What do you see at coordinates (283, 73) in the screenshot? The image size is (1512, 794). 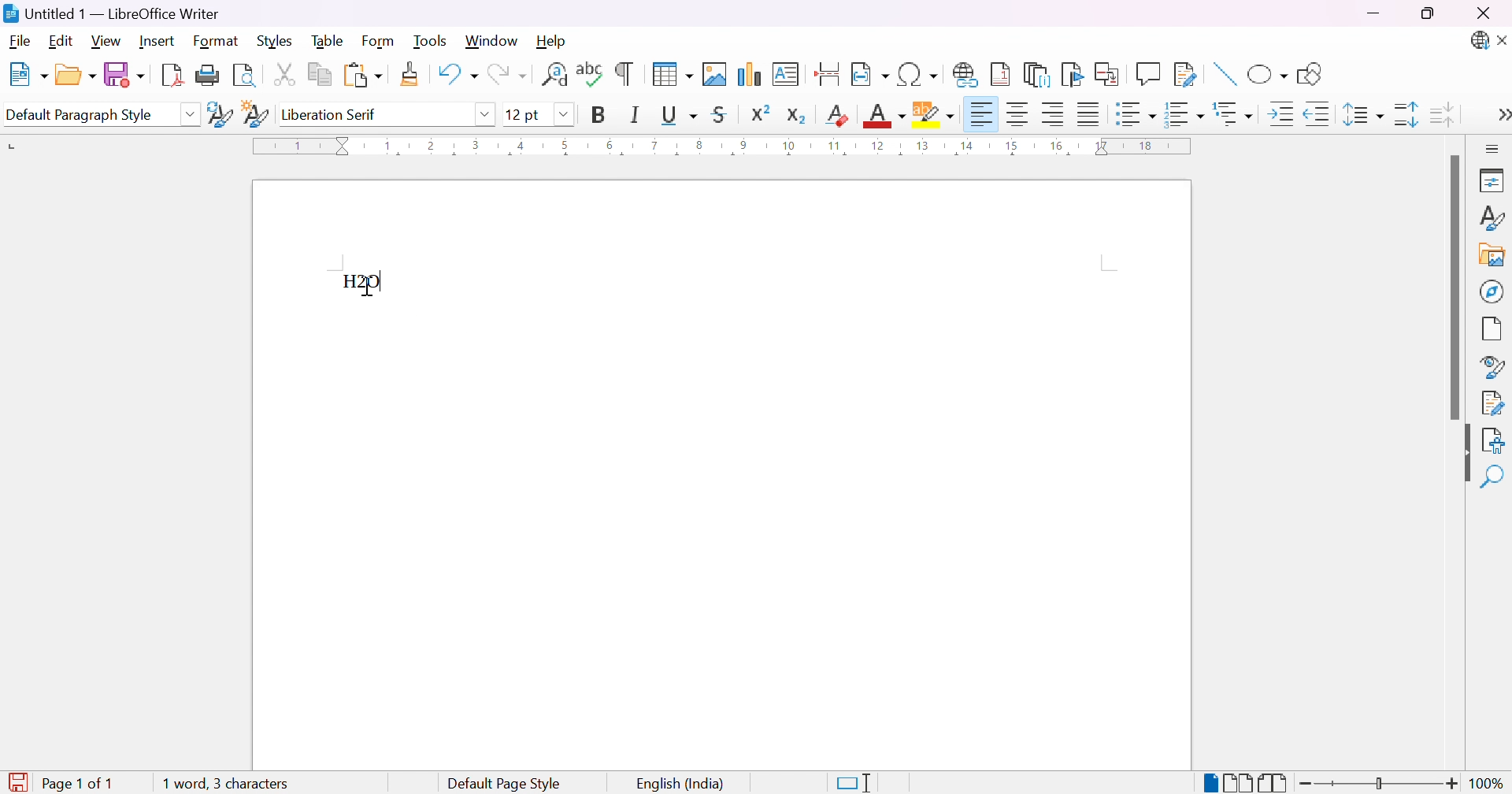 I see `Cut` at bounding box center [283, 73].